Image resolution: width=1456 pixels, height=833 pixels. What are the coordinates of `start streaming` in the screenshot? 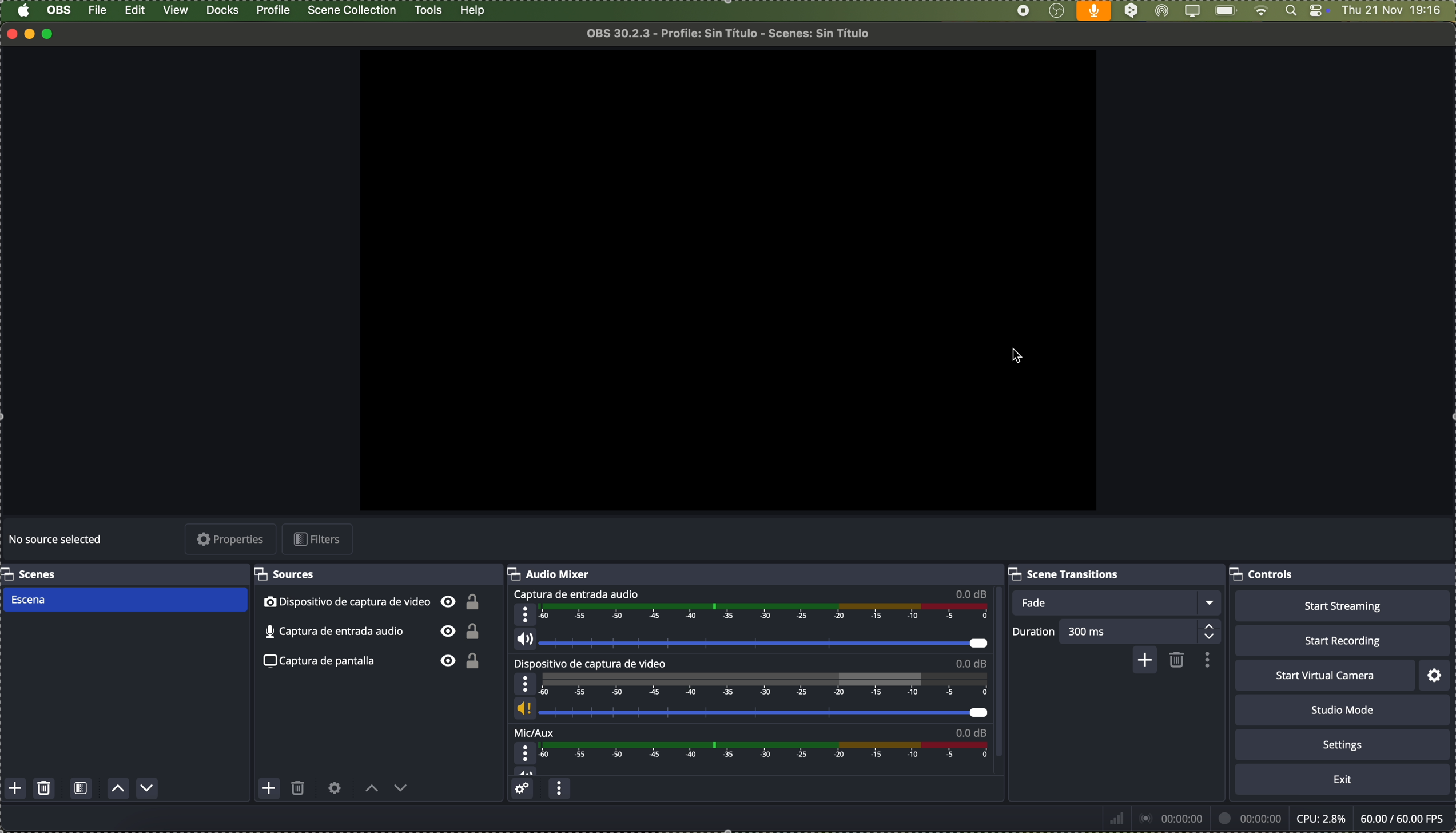 It's located at (1342, 606).